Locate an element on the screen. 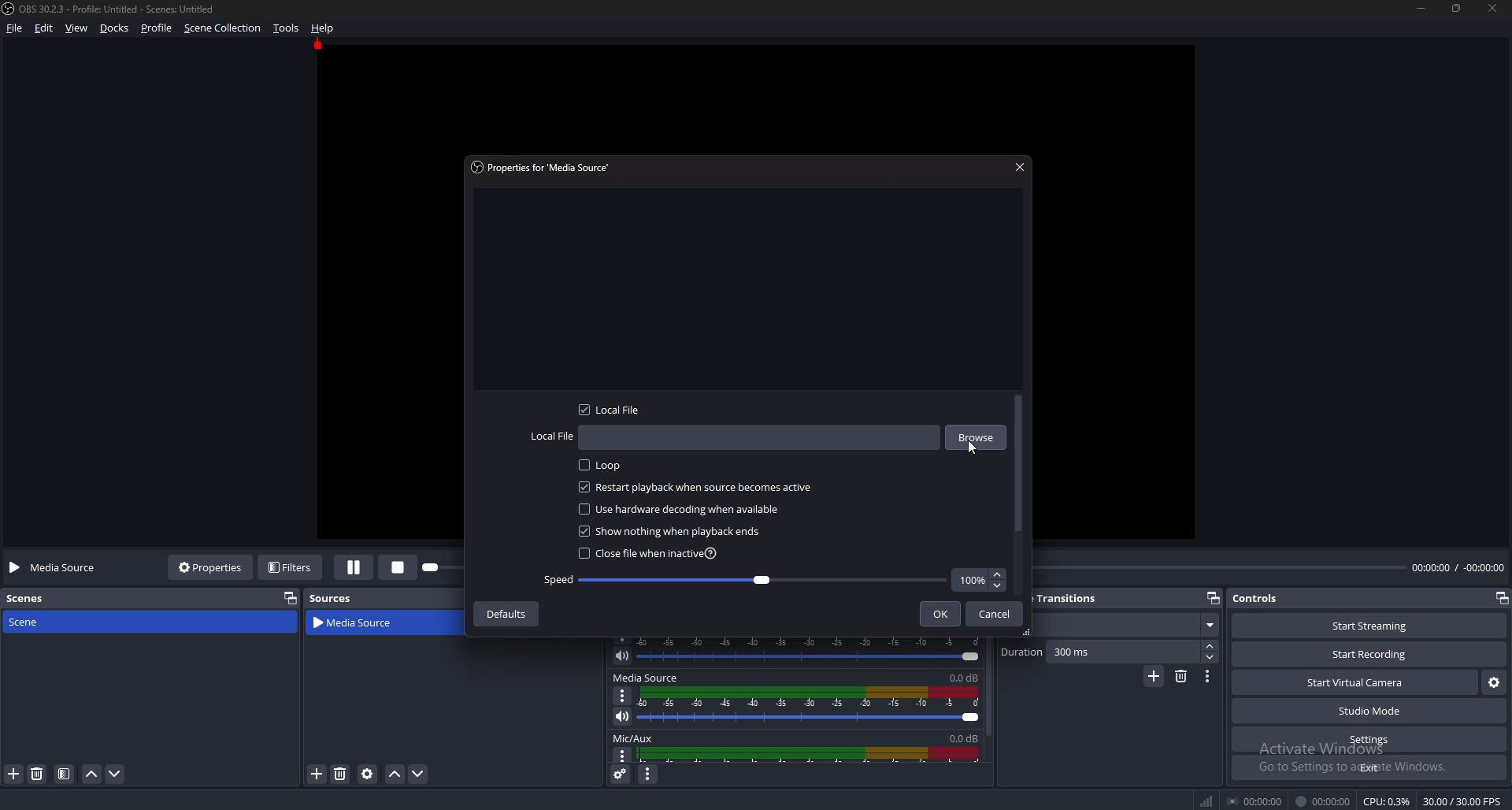 This screenshot has height=810, width=1512. Audio soundbar is located at coordinates (813, 649).